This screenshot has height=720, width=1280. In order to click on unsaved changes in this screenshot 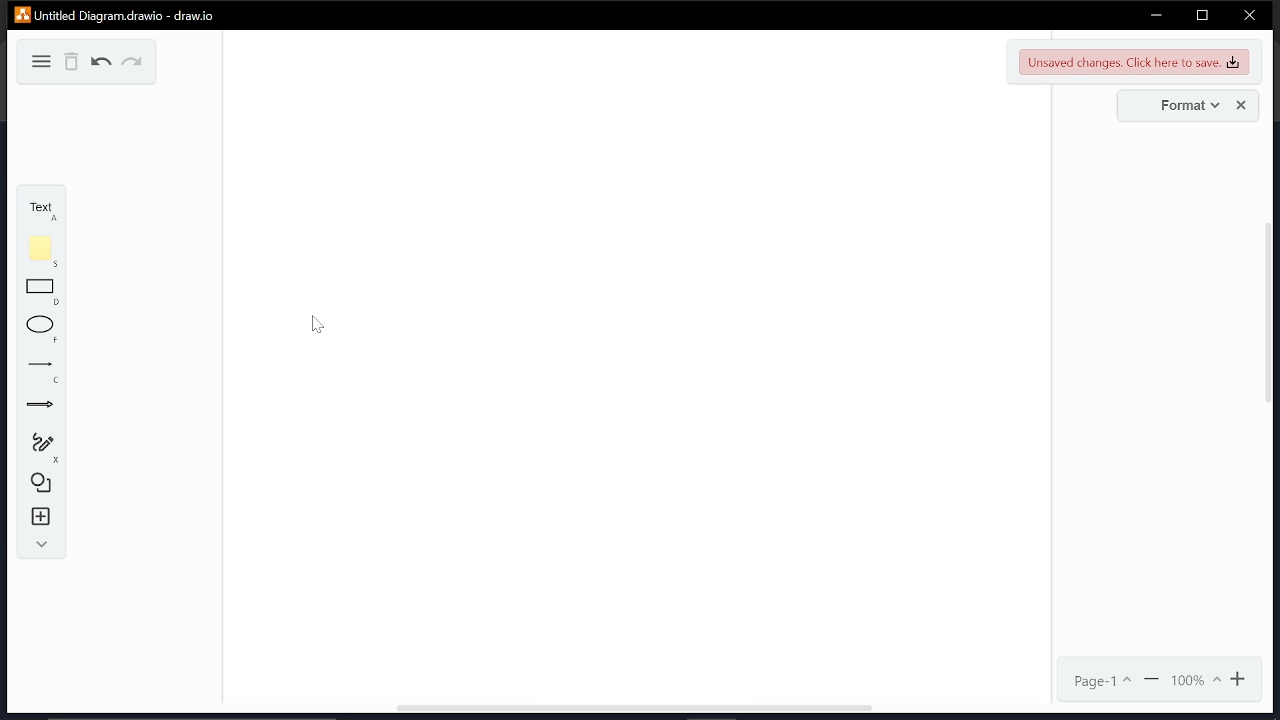, I will do `click(1134, 61)`.